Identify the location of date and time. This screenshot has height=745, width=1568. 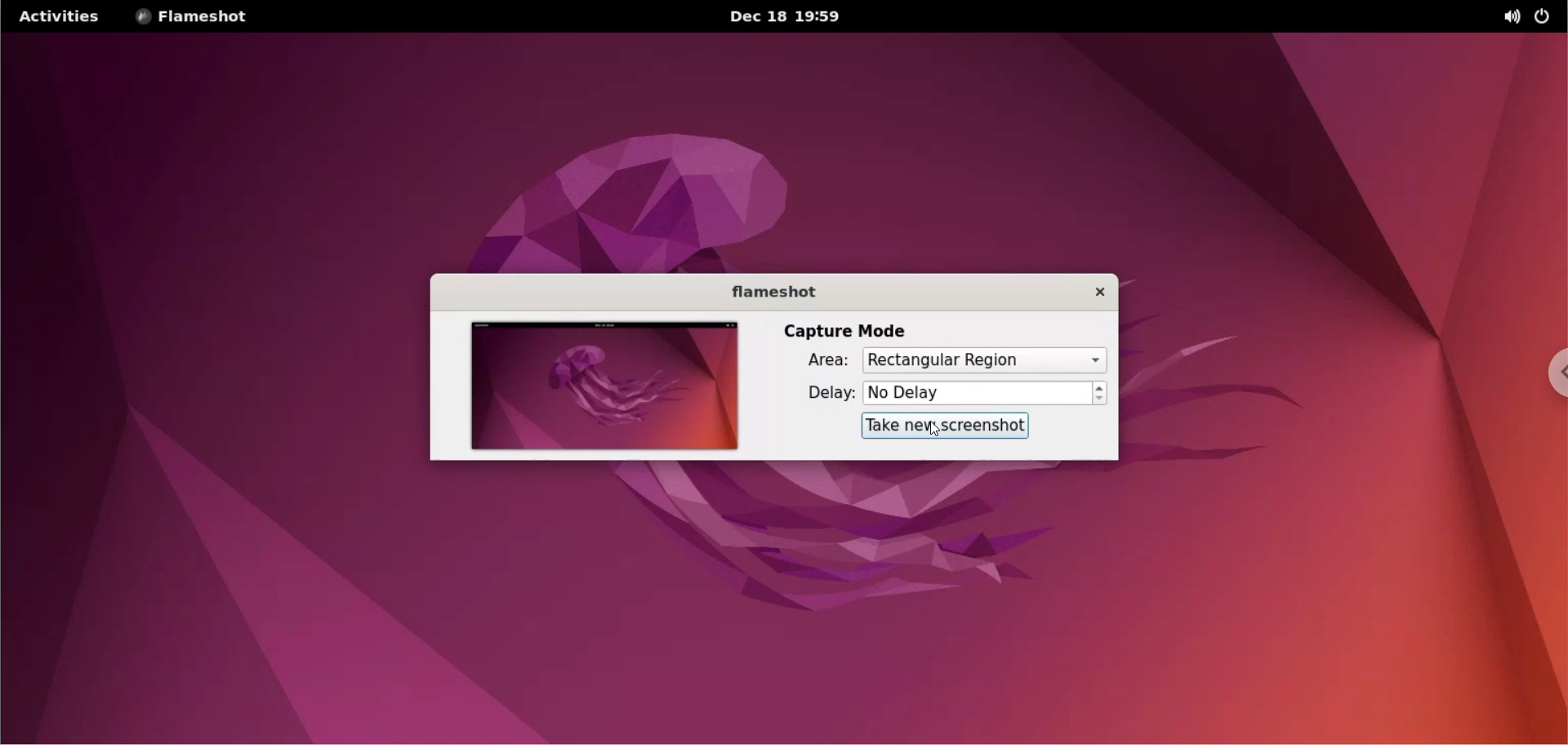
(783, 18).